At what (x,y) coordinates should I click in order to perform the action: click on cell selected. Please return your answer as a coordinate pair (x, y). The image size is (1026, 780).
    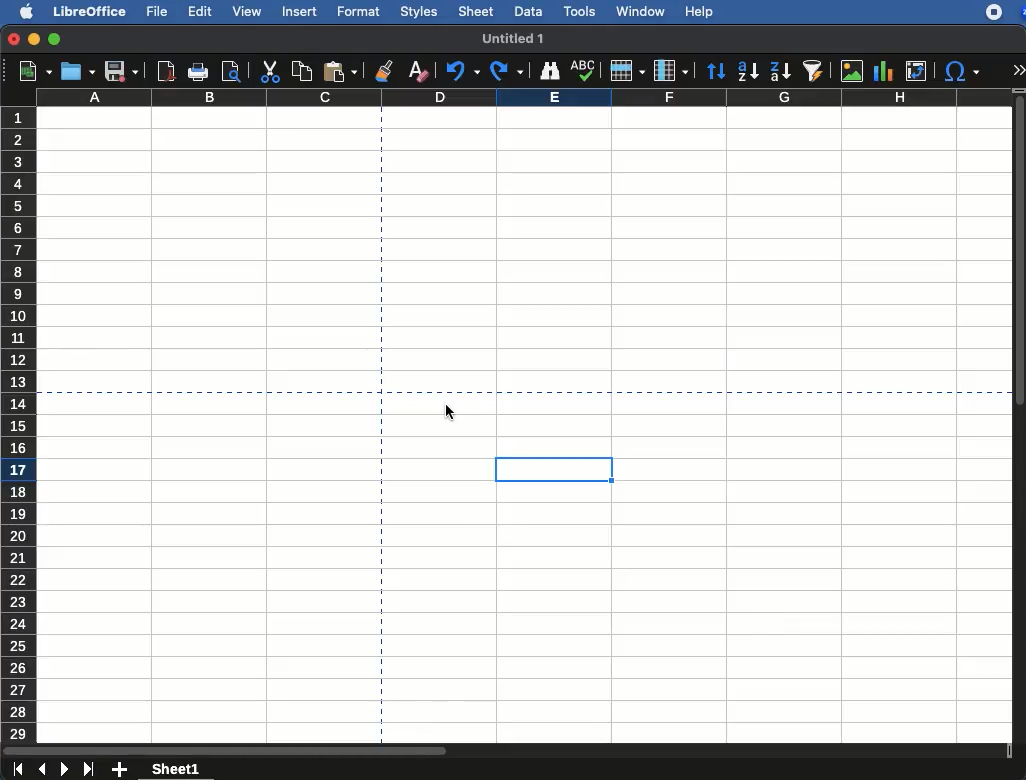
    Looking at the image, I should click on (555, 469).